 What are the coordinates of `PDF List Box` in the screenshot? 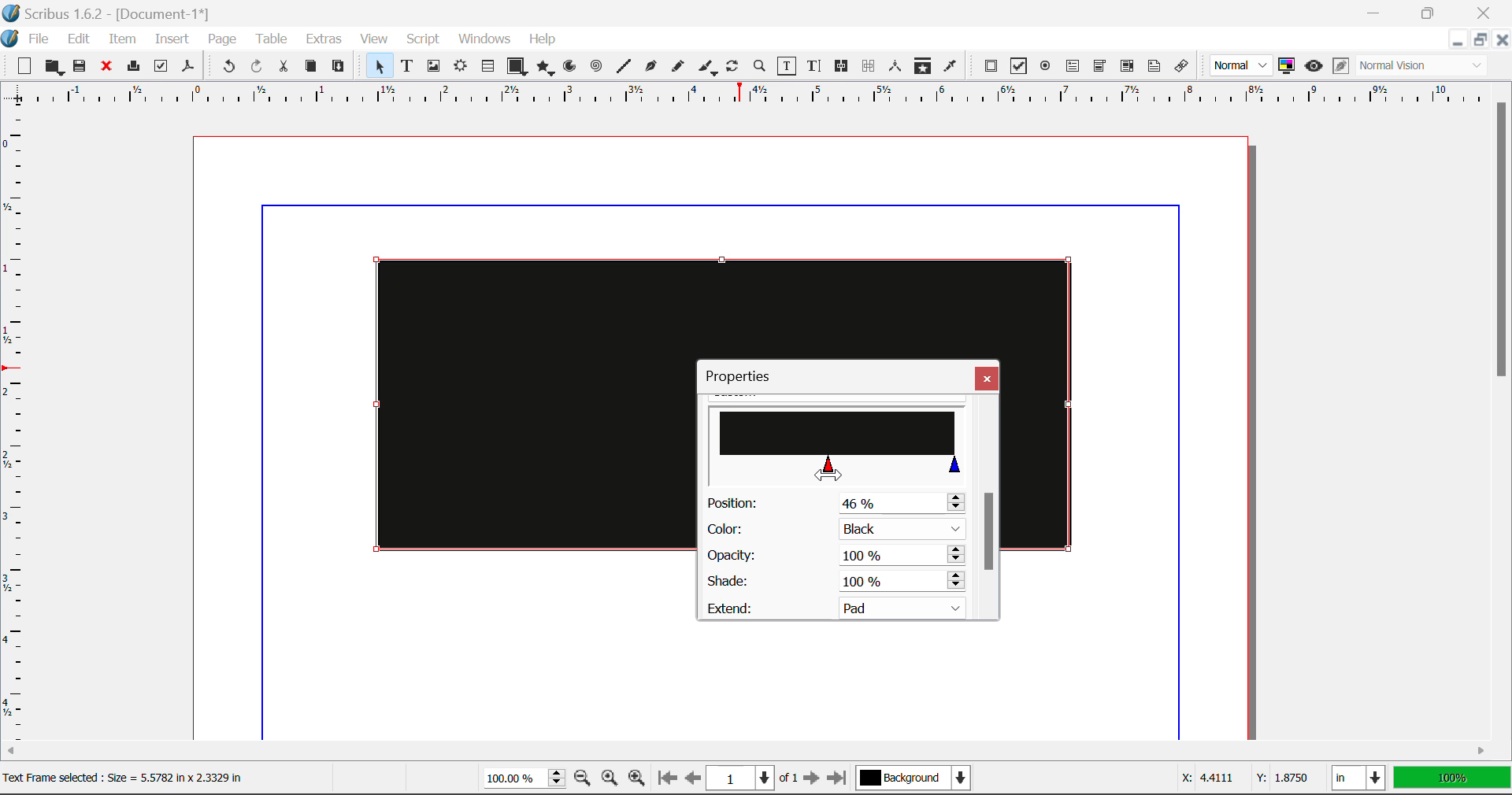 It's located at (1128, 66).